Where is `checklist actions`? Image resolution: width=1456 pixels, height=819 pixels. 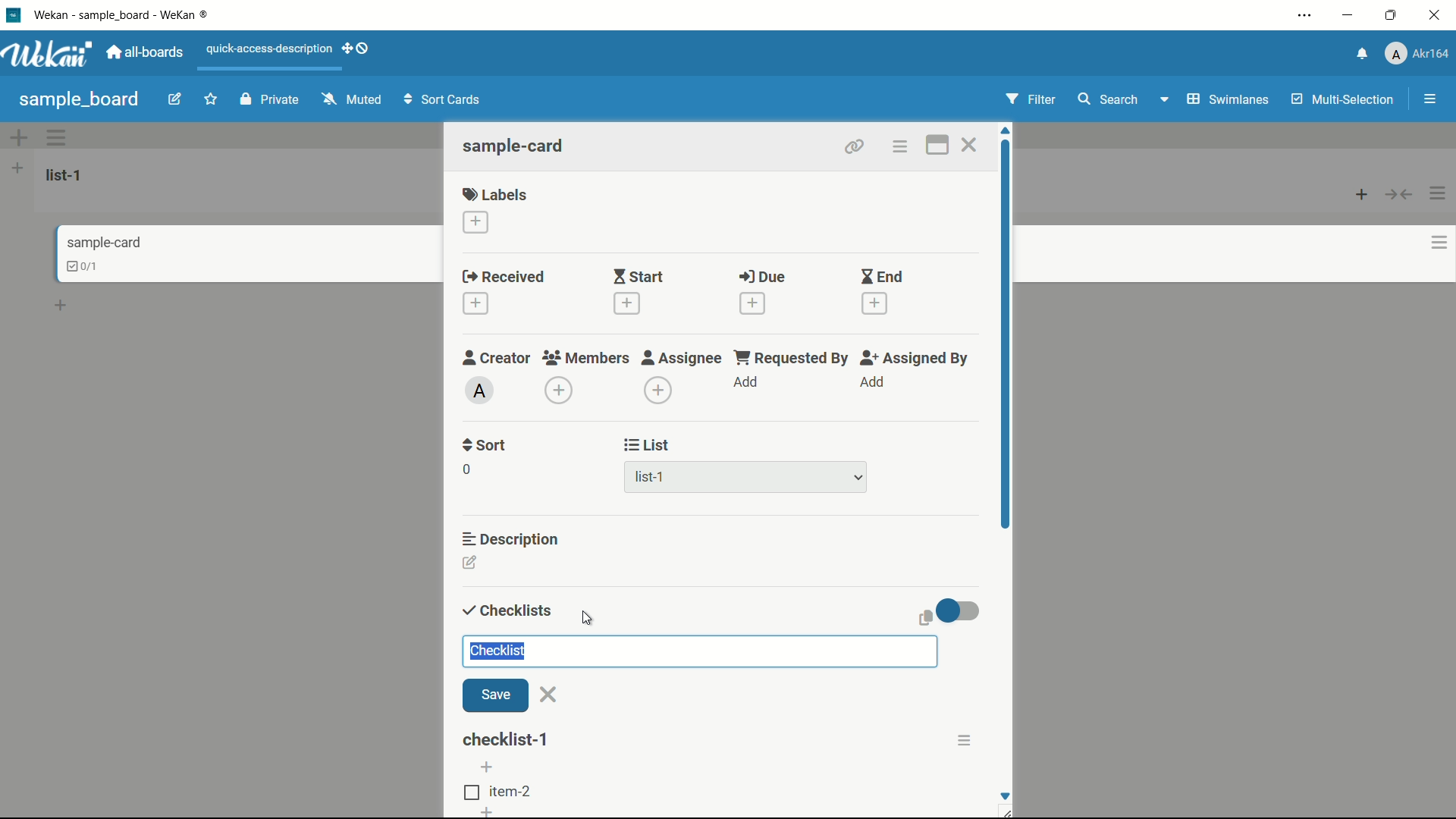 checklist actions is located at coordinates (964, 740).